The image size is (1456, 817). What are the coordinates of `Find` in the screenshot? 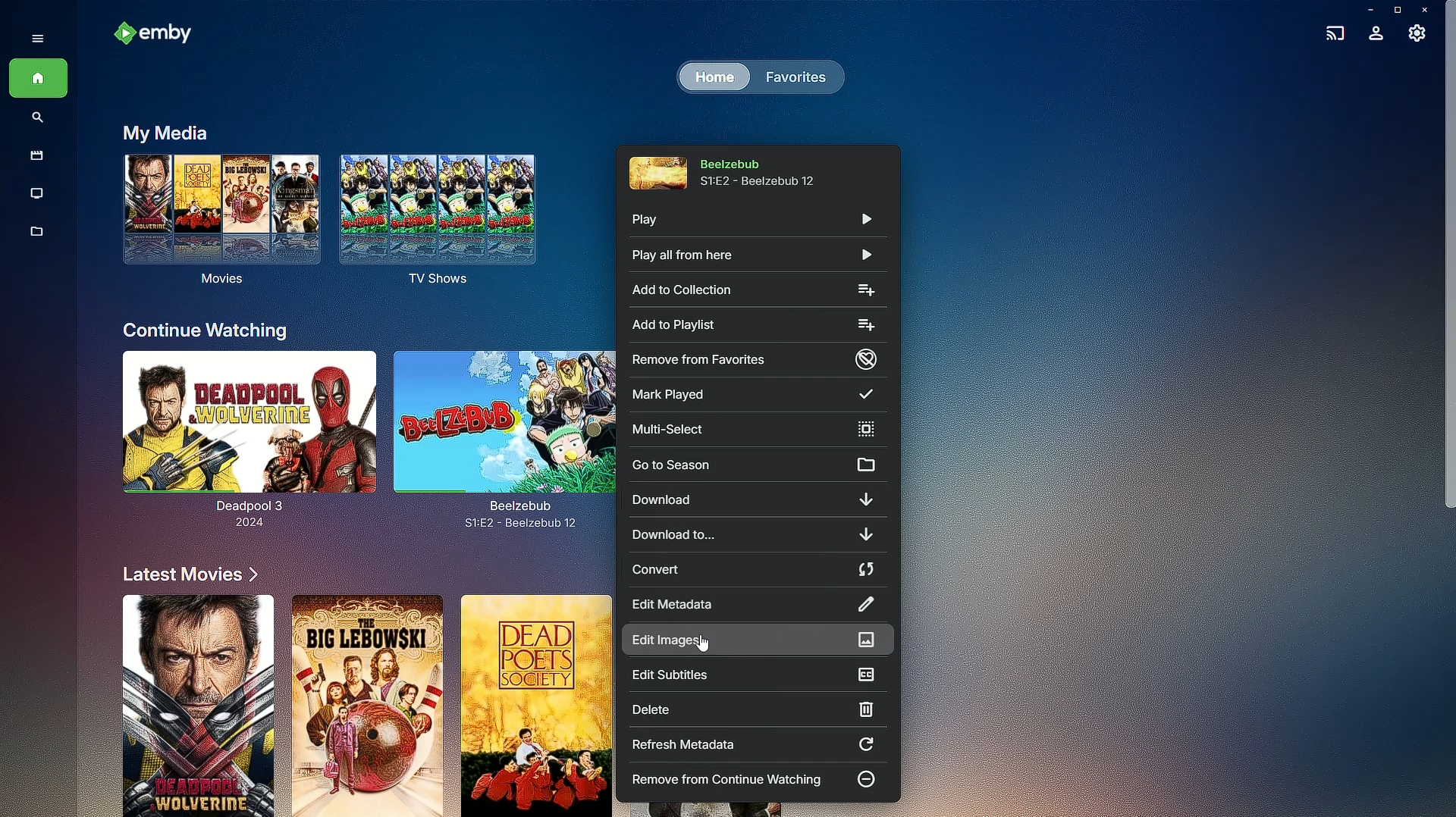 It's located at (38, 119).